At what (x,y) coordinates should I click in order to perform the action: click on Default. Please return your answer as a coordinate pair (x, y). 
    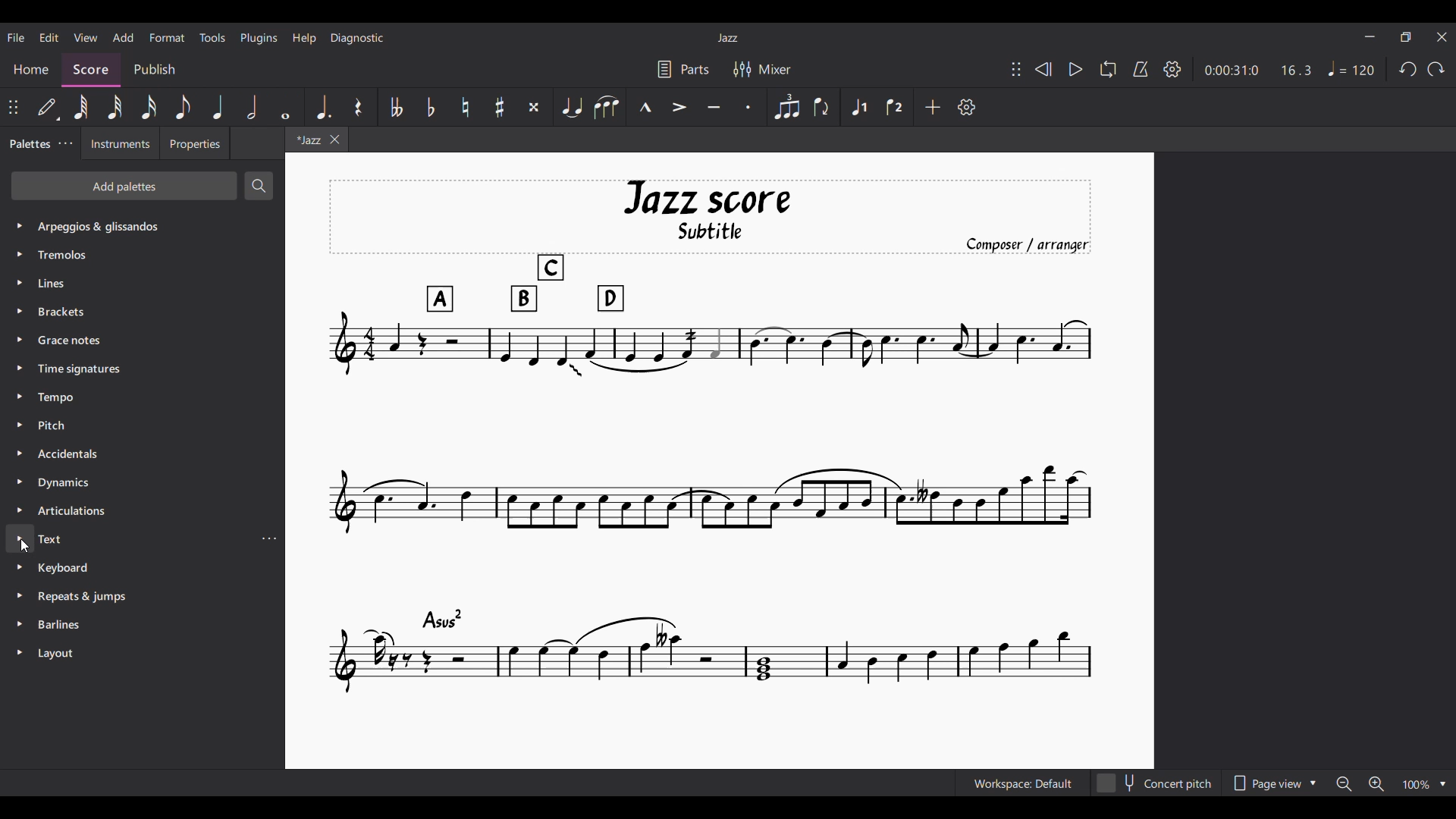
    Looking at the image, I should click on (46, 108).